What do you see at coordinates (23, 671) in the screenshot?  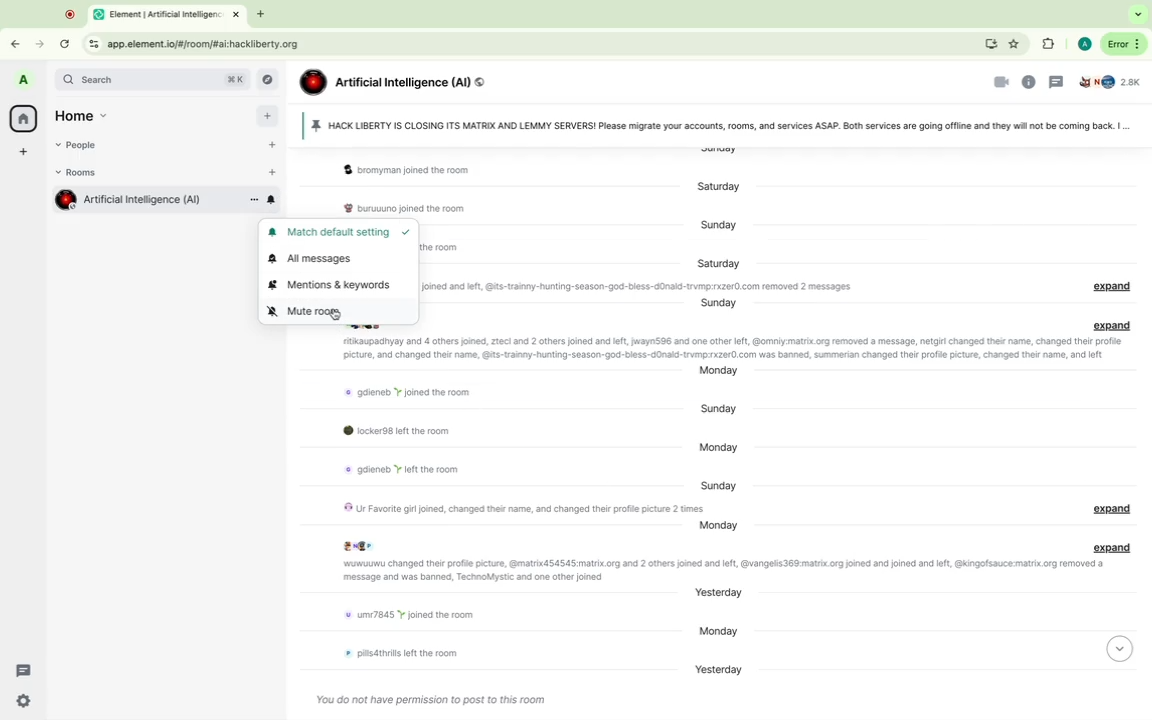 I see `Threads` at bounding box center [23, 671].